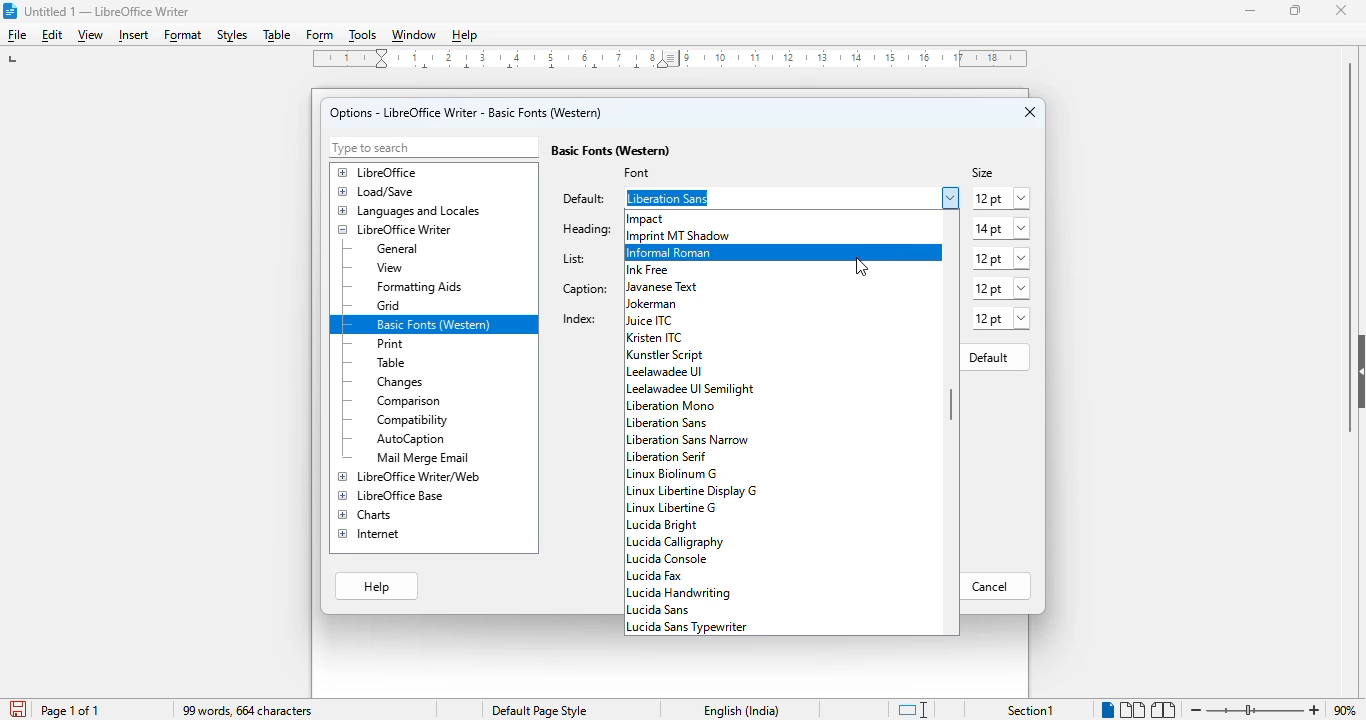  Describe the element at coordinates (611, 150) in the screenshot. I see `basic fonts (Western)` at that location.